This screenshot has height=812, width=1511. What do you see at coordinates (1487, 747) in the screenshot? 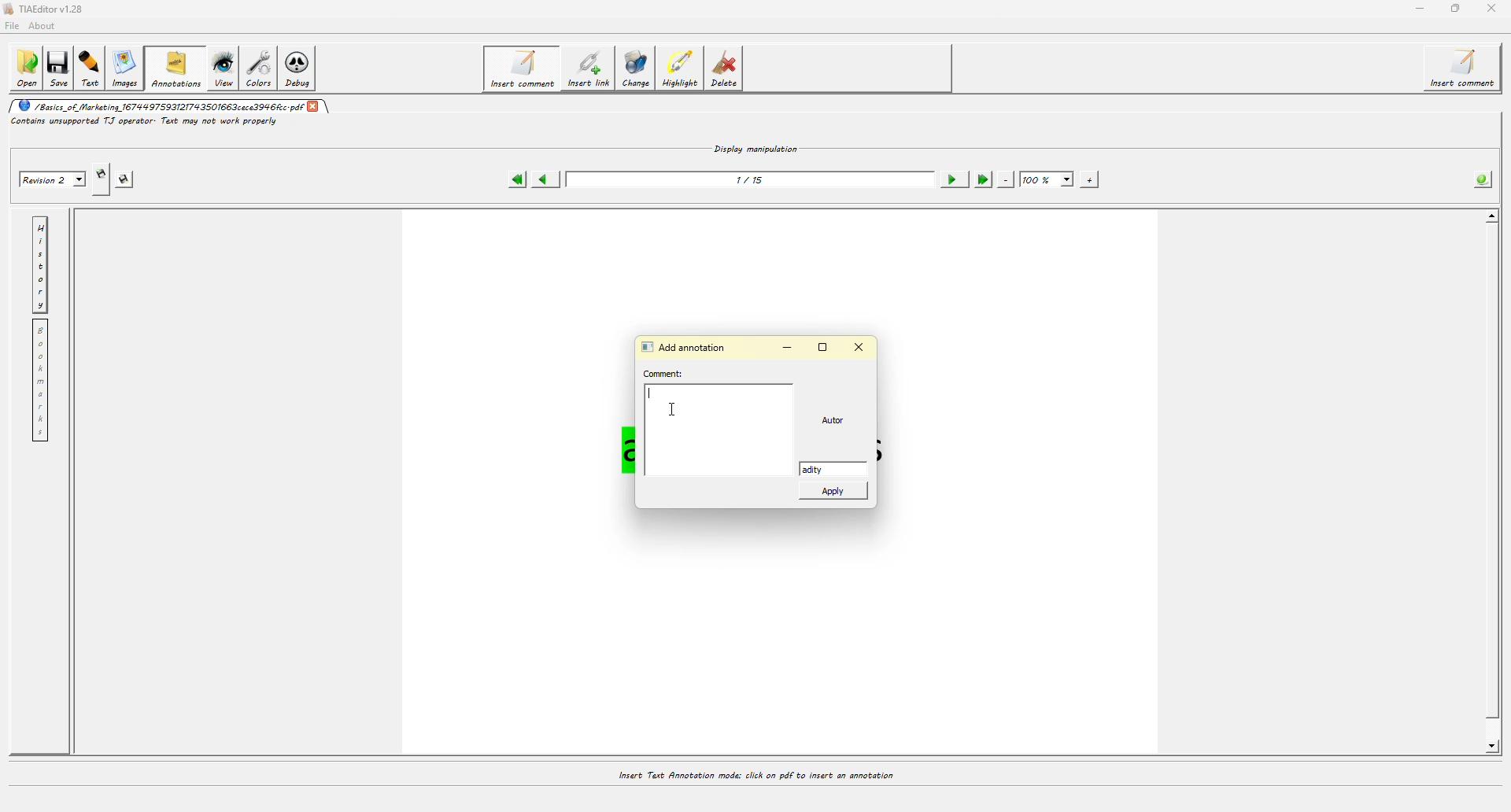
I see `scroll down` at bounding box center [1487, 747].